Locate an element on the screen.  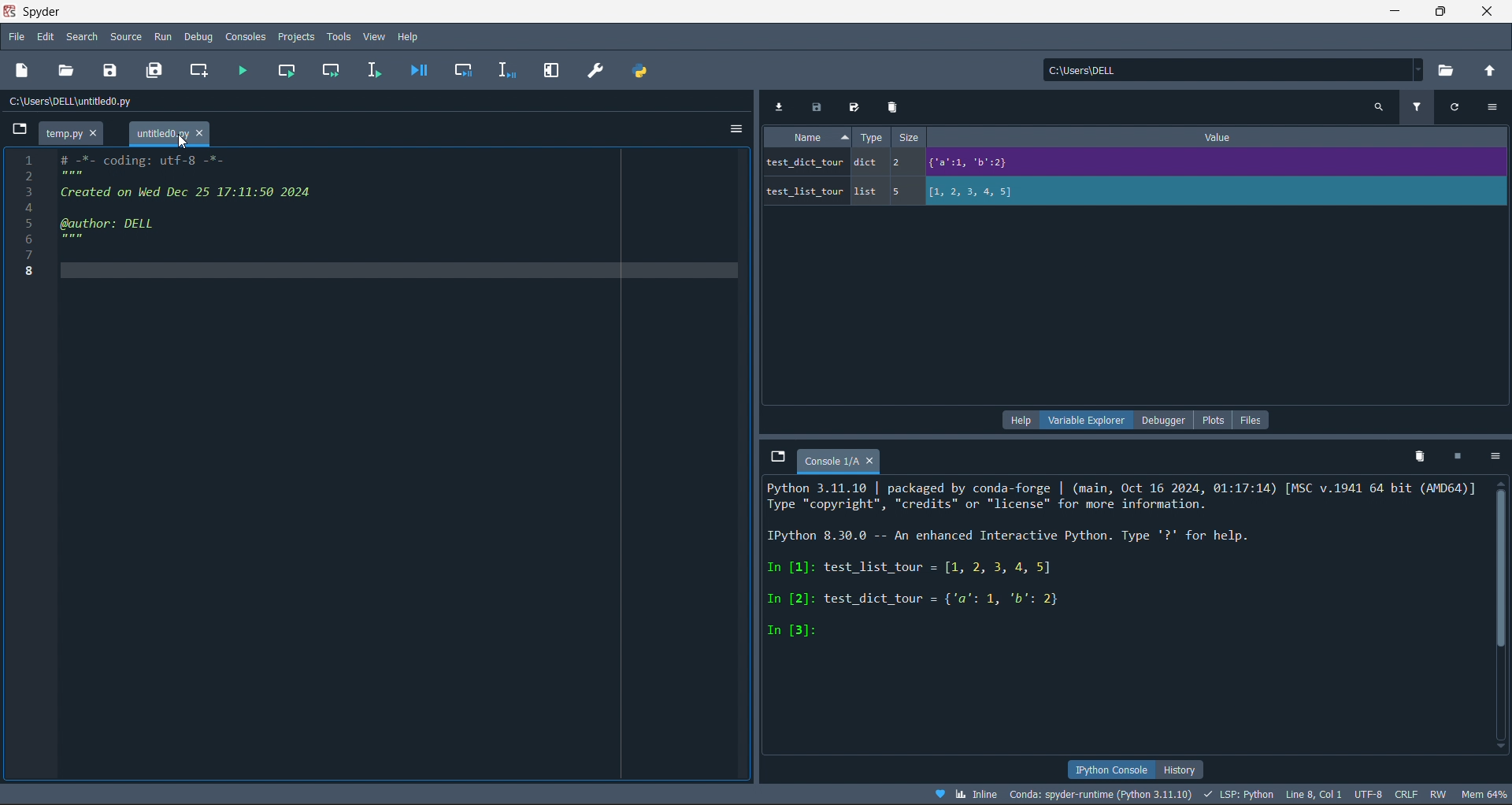
run line is located at coordinates (373, 69).